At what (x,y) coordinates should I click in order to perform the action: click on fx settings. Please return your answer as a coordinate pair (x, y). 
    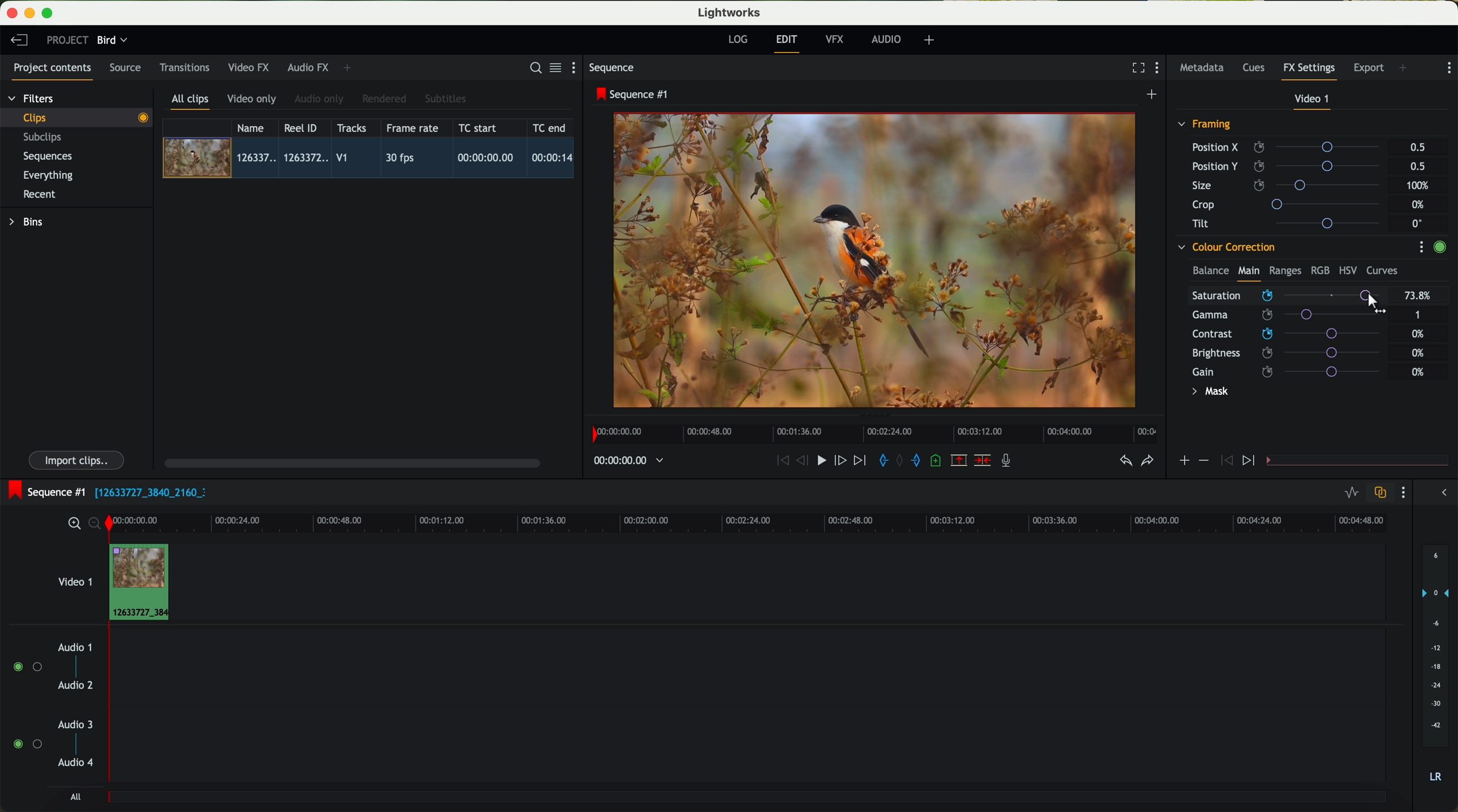
    Looking at the image, I should click on (1309, 71).